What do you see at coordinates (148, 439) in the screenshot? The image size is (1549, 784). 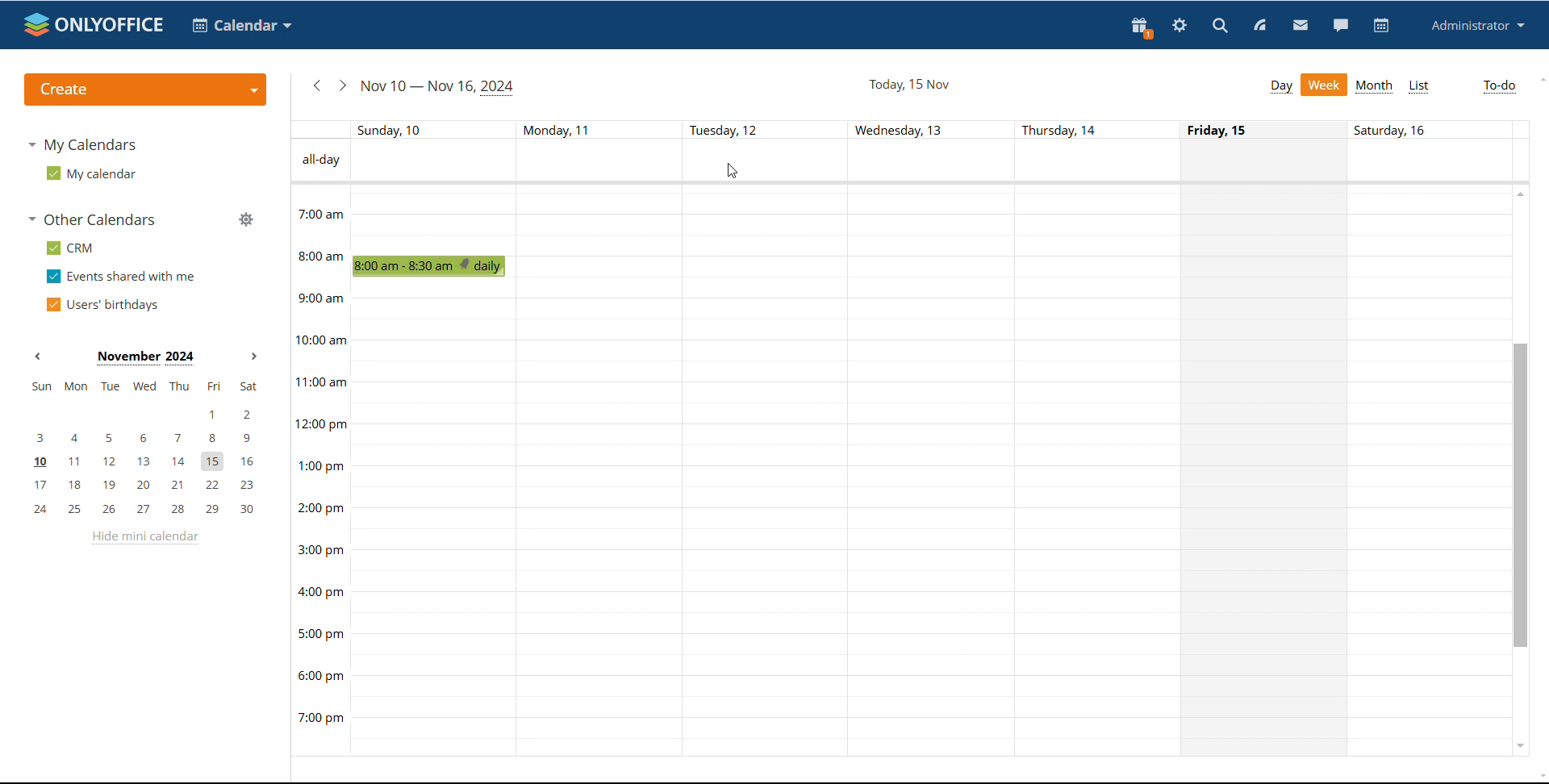 I see `3, 4, 5, 6, 7, 8, 9` at bounding box center [148, 439].